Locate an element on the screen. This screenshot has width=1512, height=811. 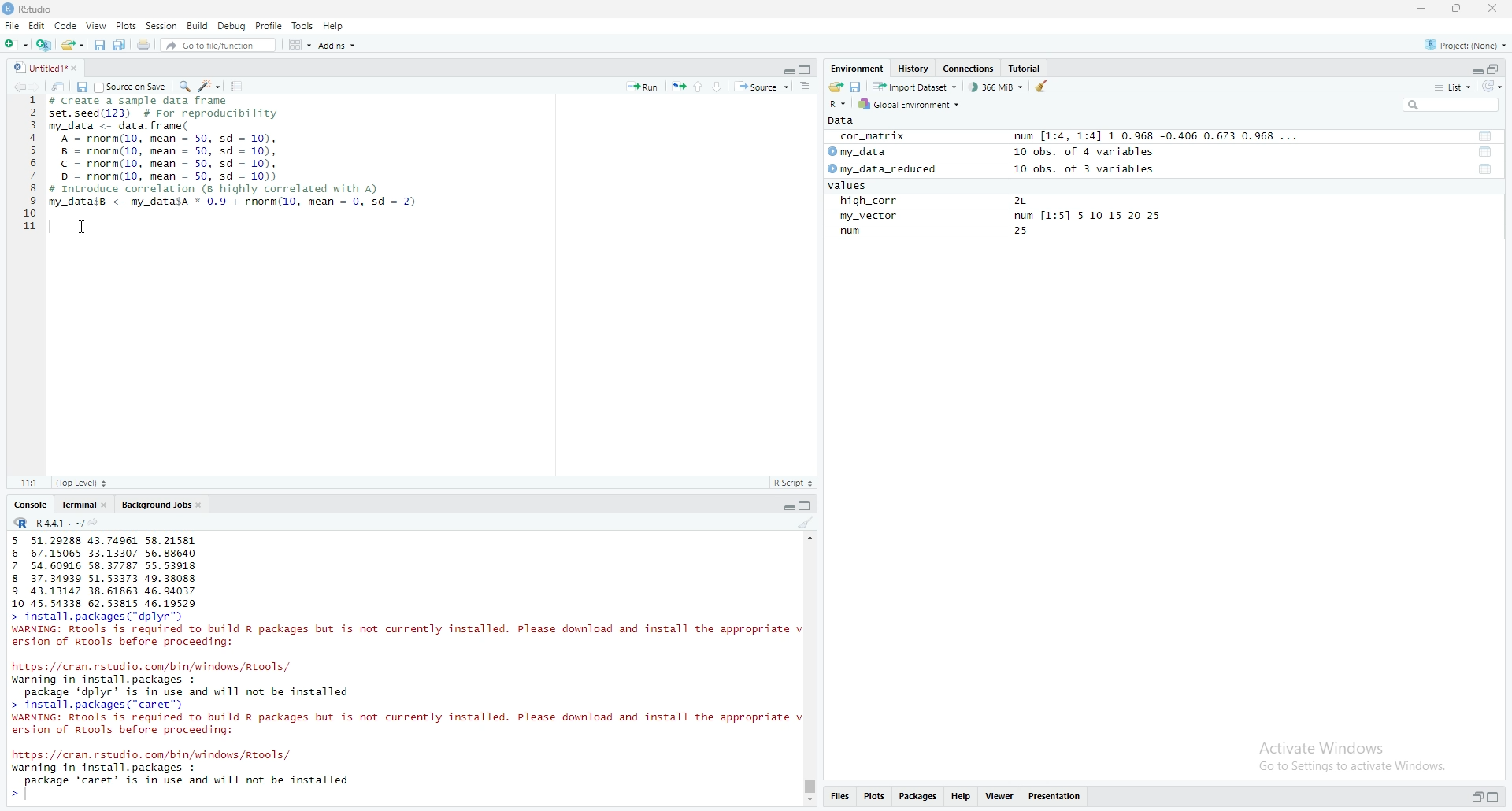
clean is located at coordinates (806, 521).